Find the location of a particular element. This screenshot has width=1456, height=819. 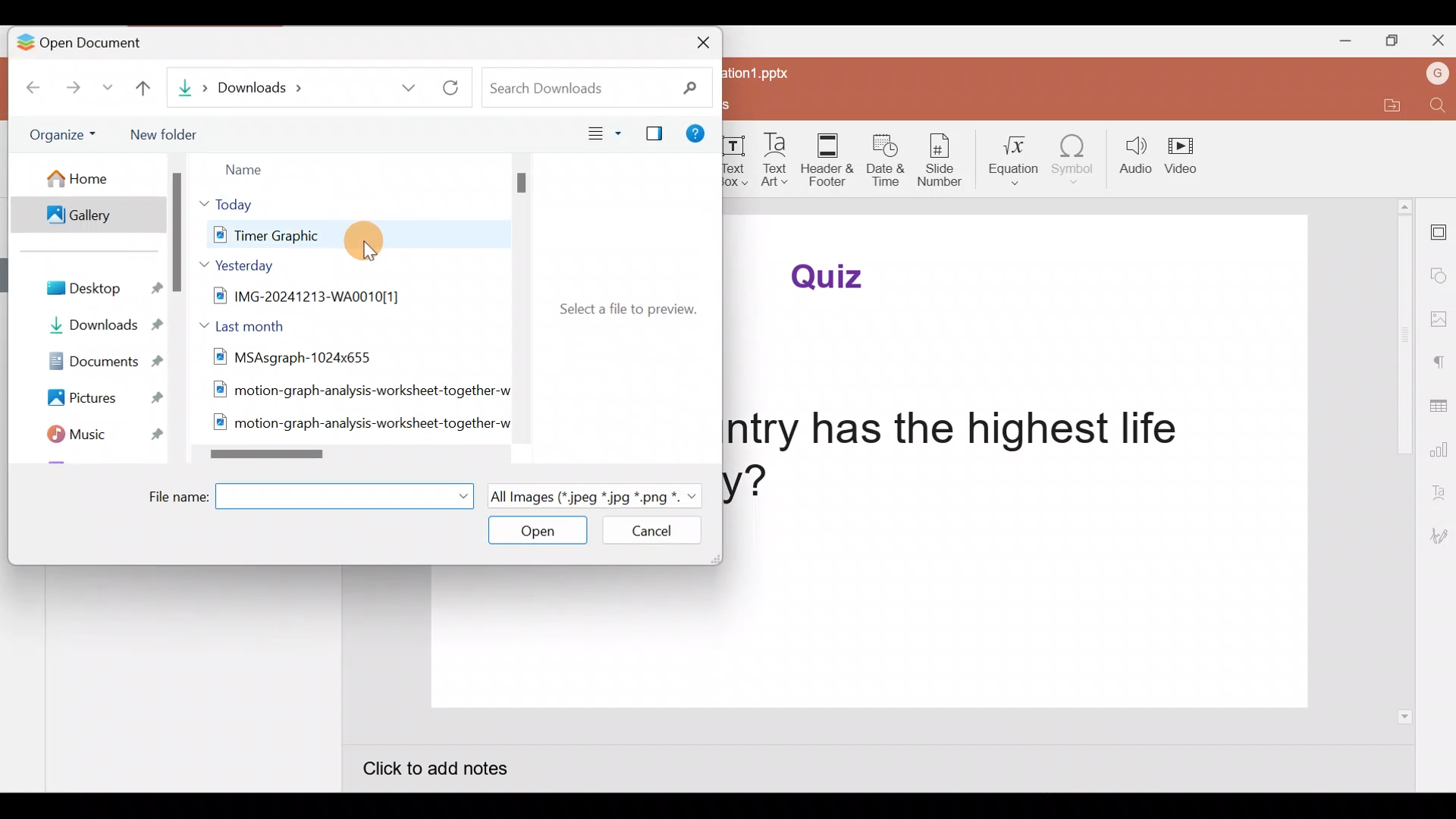

Show/Hide Preview is located at coordinates (651, 131).